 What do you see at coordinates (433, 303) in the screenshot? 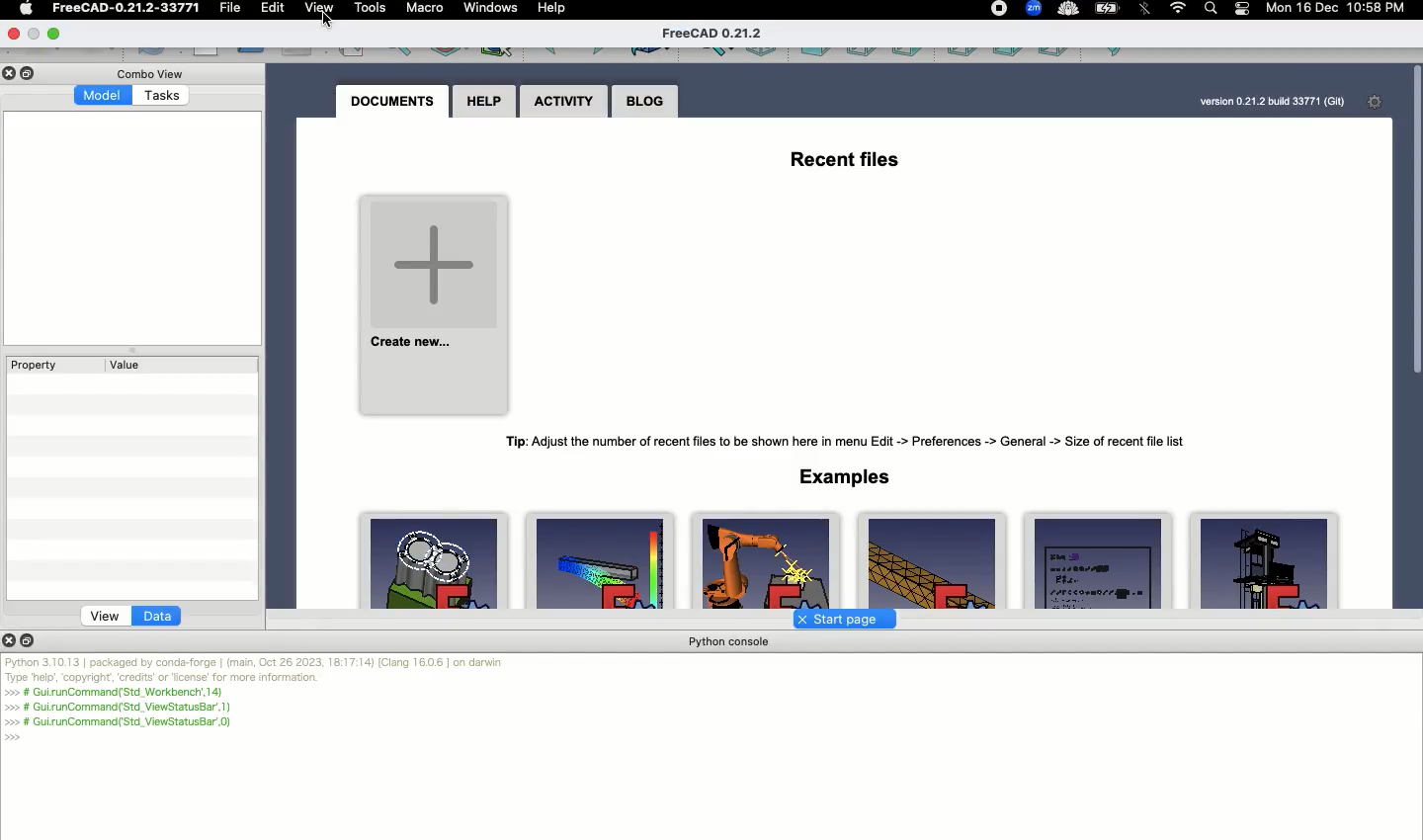
I see `Create new` at bounding box center [433, 303].